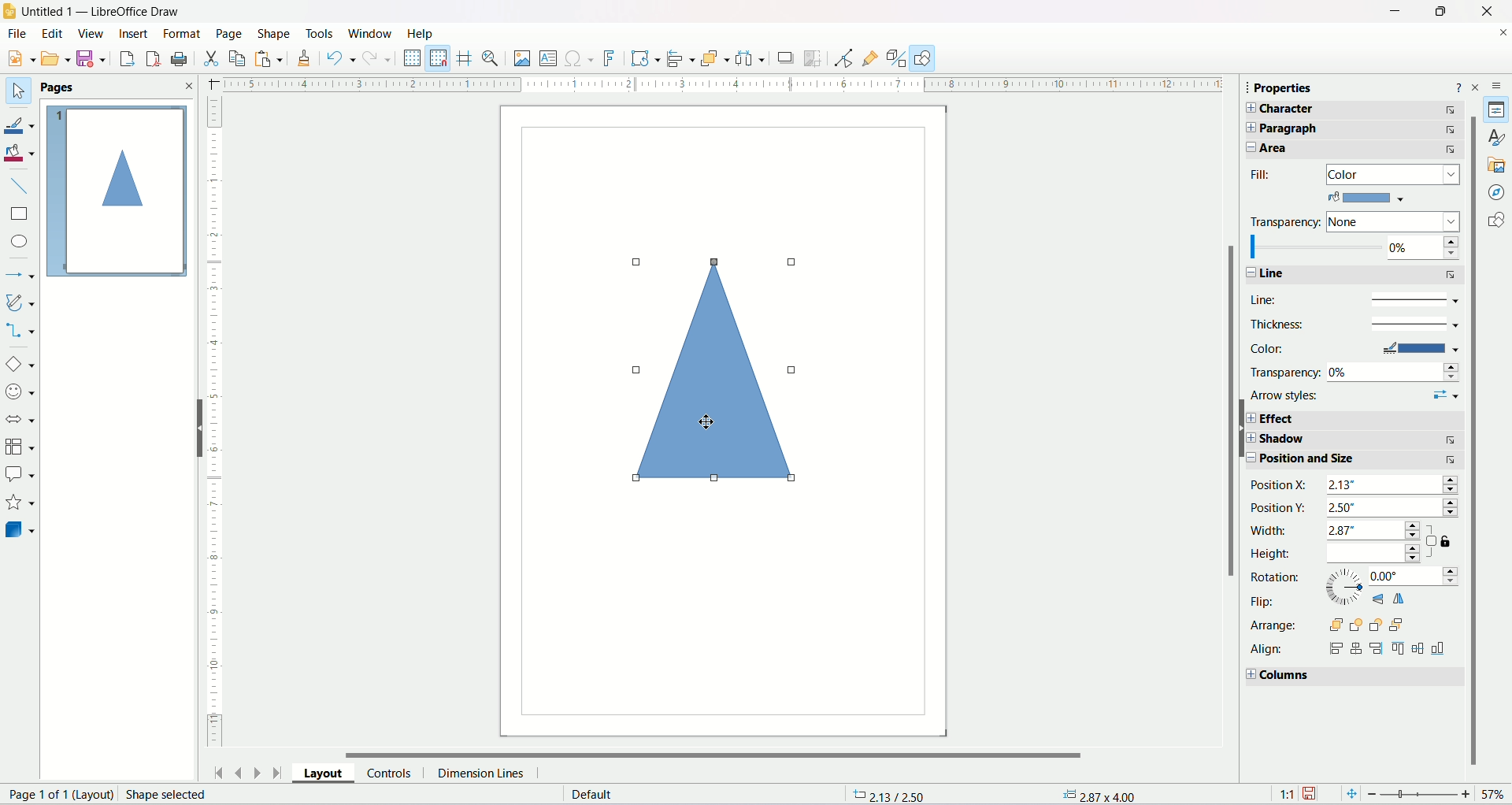 Image resolution: width=1512 pixels, height=805 pixels. What do you see at coordinates (1448, 542) in the screenshot?
I see `lock` at bounding box center [1448, 542].